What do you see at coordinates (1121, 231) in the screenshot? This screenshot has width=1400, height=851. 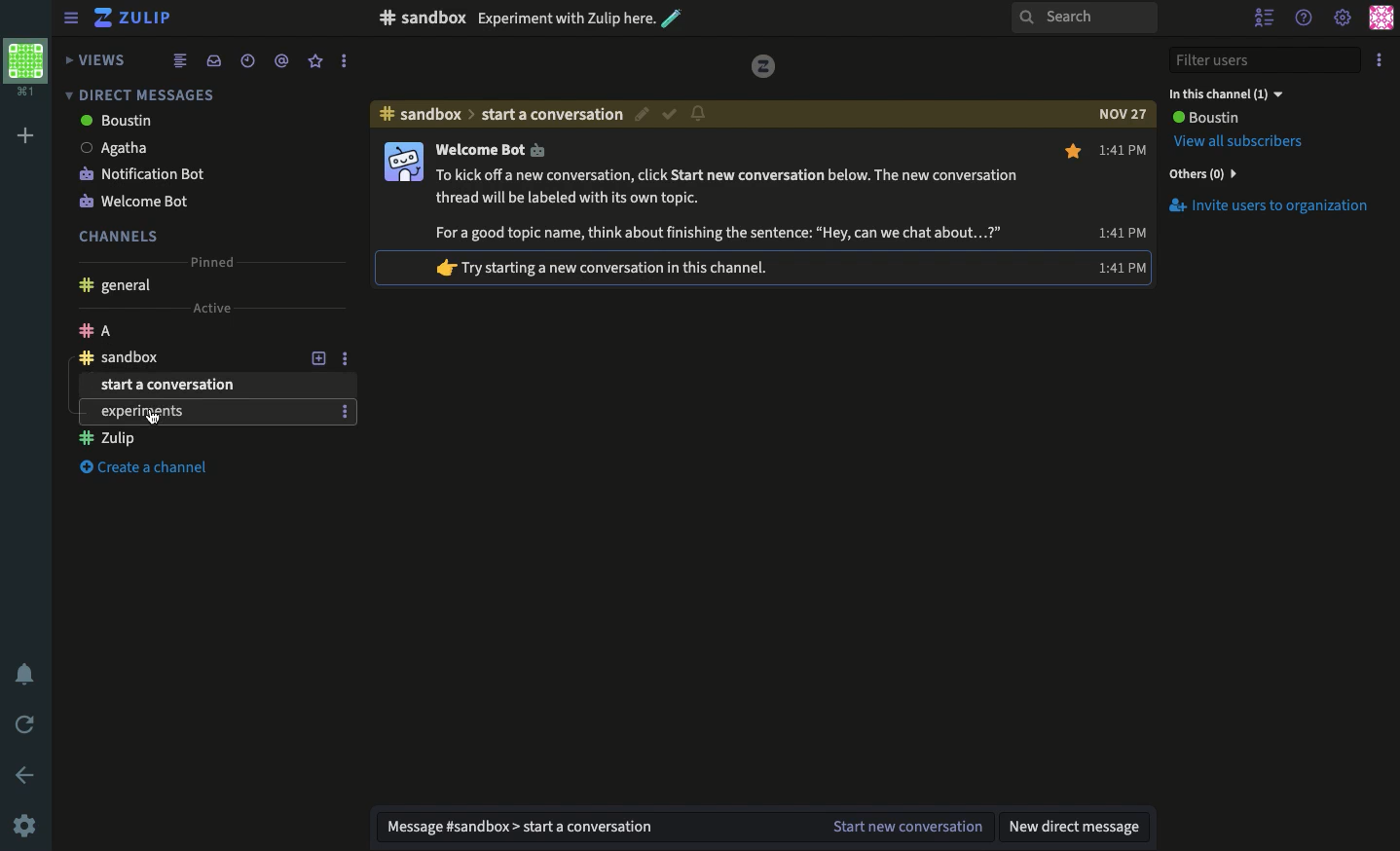 I see `time` at bounding box center [1121, 231].